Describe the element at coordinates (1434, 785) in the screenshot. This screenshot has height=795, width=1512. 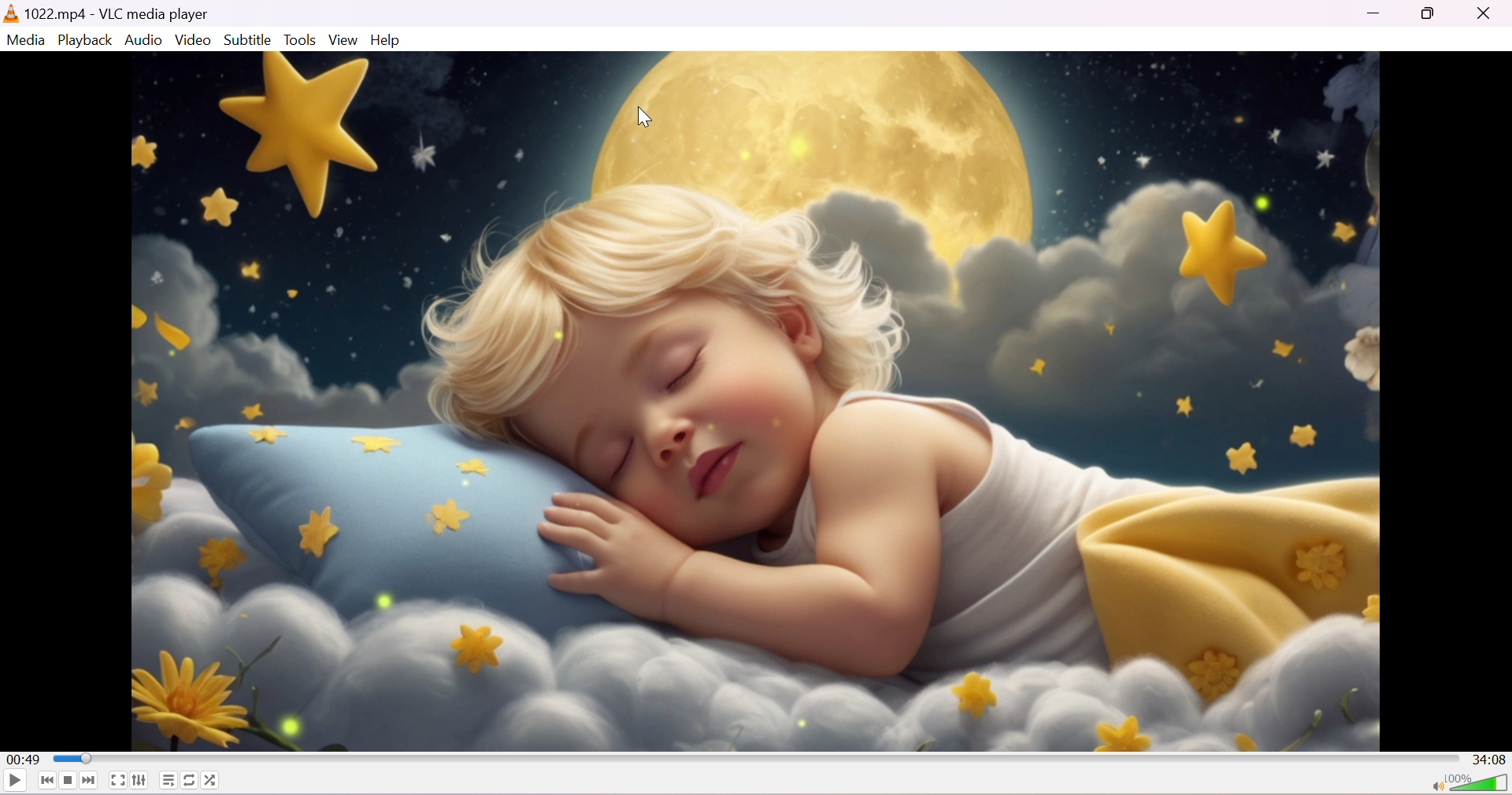
I see `Mute` at that location.